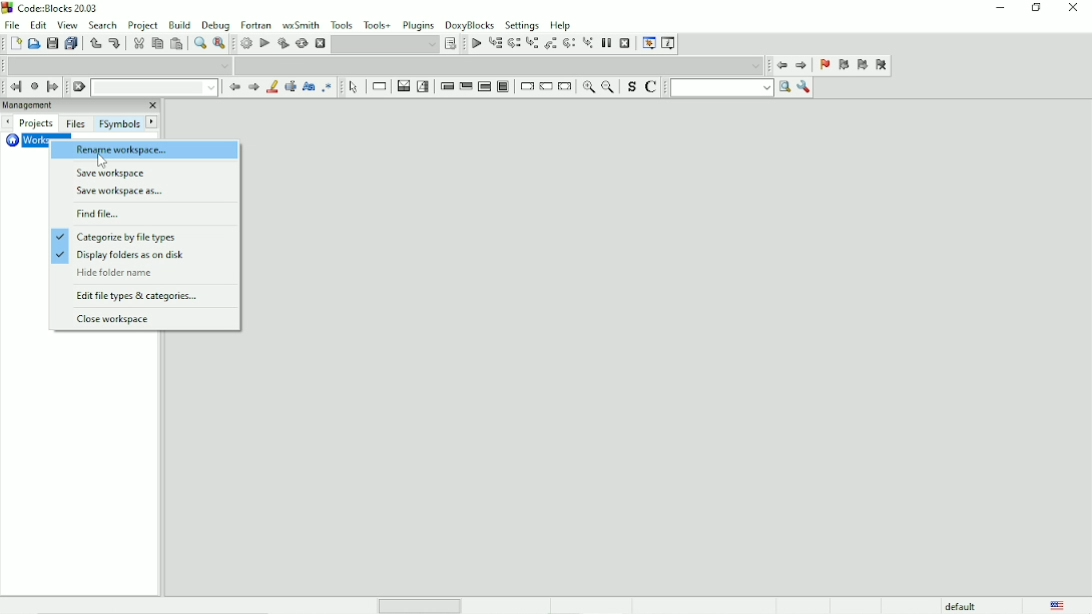 The width and height of the screenshot is (1092, 614). Describe the element at coordinates (176, 44) in the screenshot. I see `Paste` at that location.